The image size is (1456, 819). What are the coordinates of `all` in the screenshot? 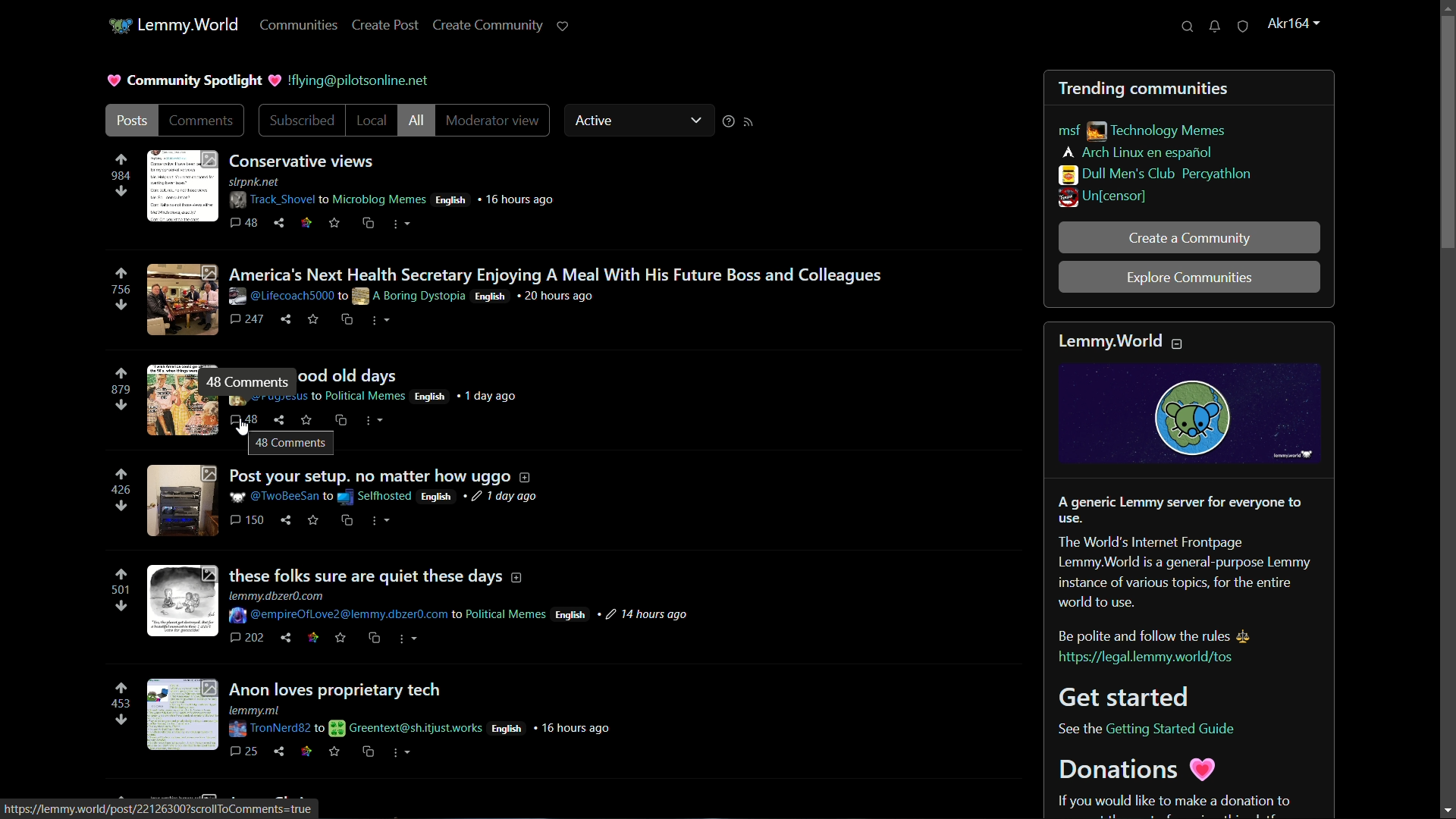 It's located at (417, 120).